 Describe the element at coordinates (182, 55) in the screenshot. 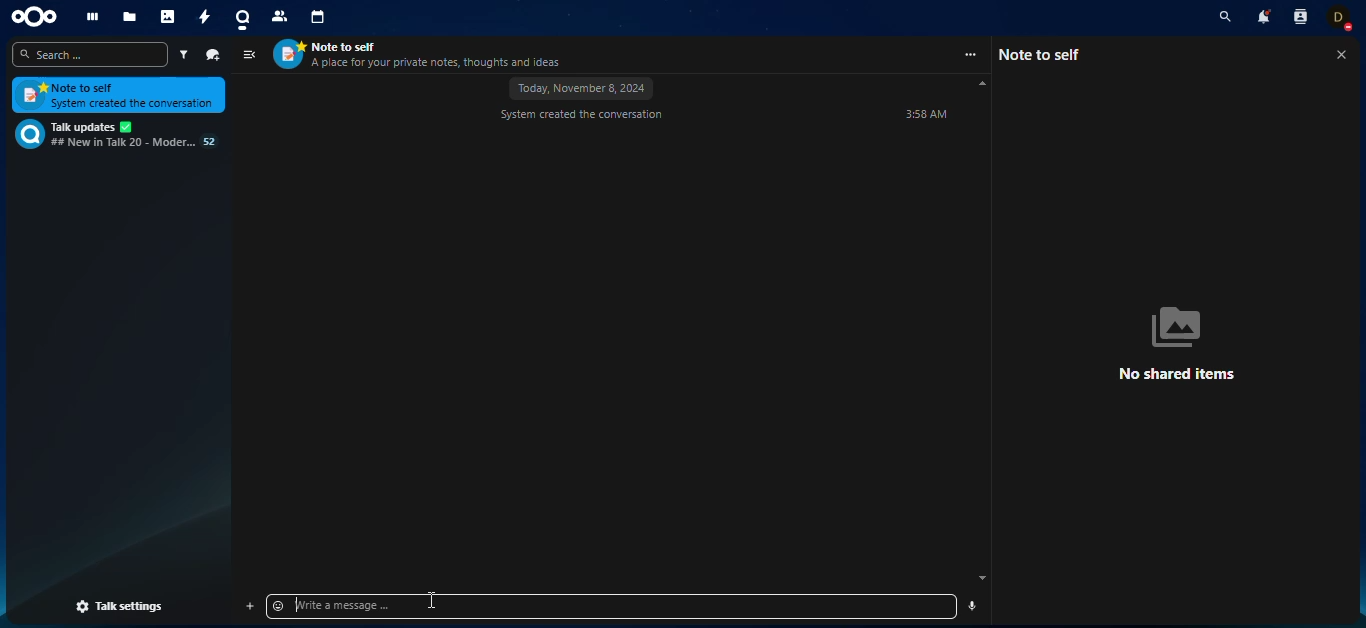

I see `filter` at that location.